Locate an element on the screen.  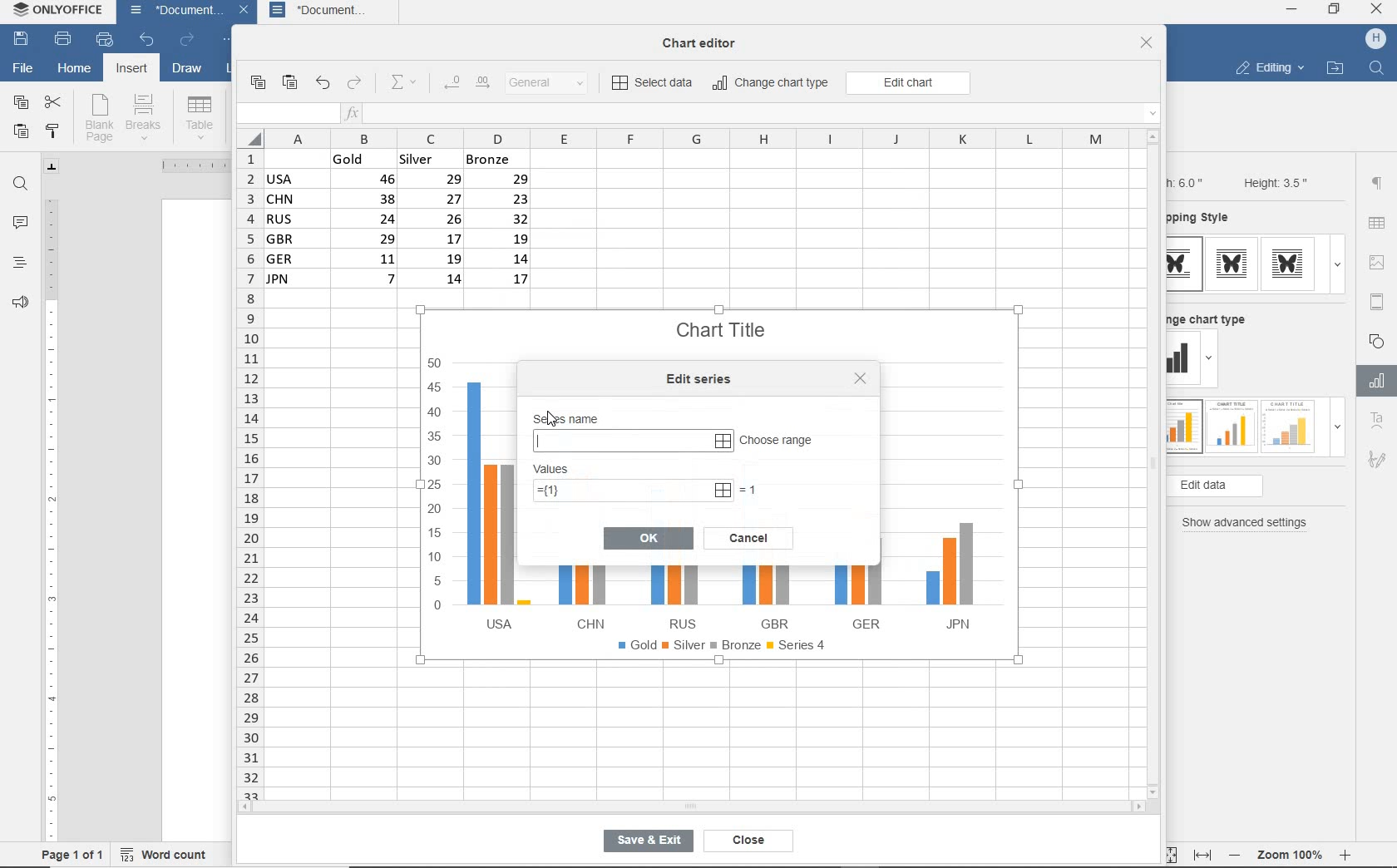
JPN is located at coordinates (946, 577).